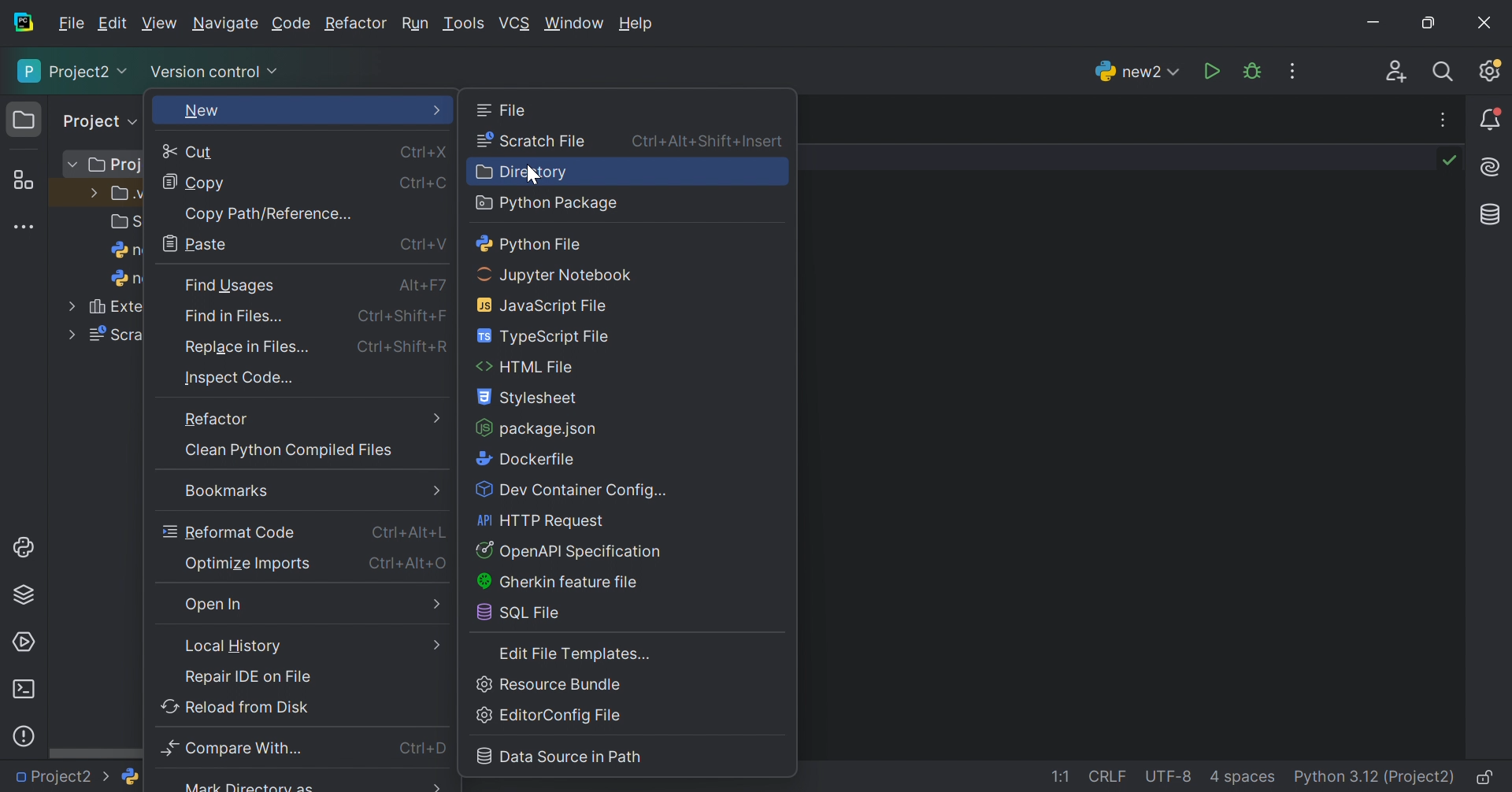 Image resolution: width=1512 pixels, height=792 pixels. What do you see at coordinates (359, 23) in the screenshot?
I see `Refactor` at bounding box center [359, 23].